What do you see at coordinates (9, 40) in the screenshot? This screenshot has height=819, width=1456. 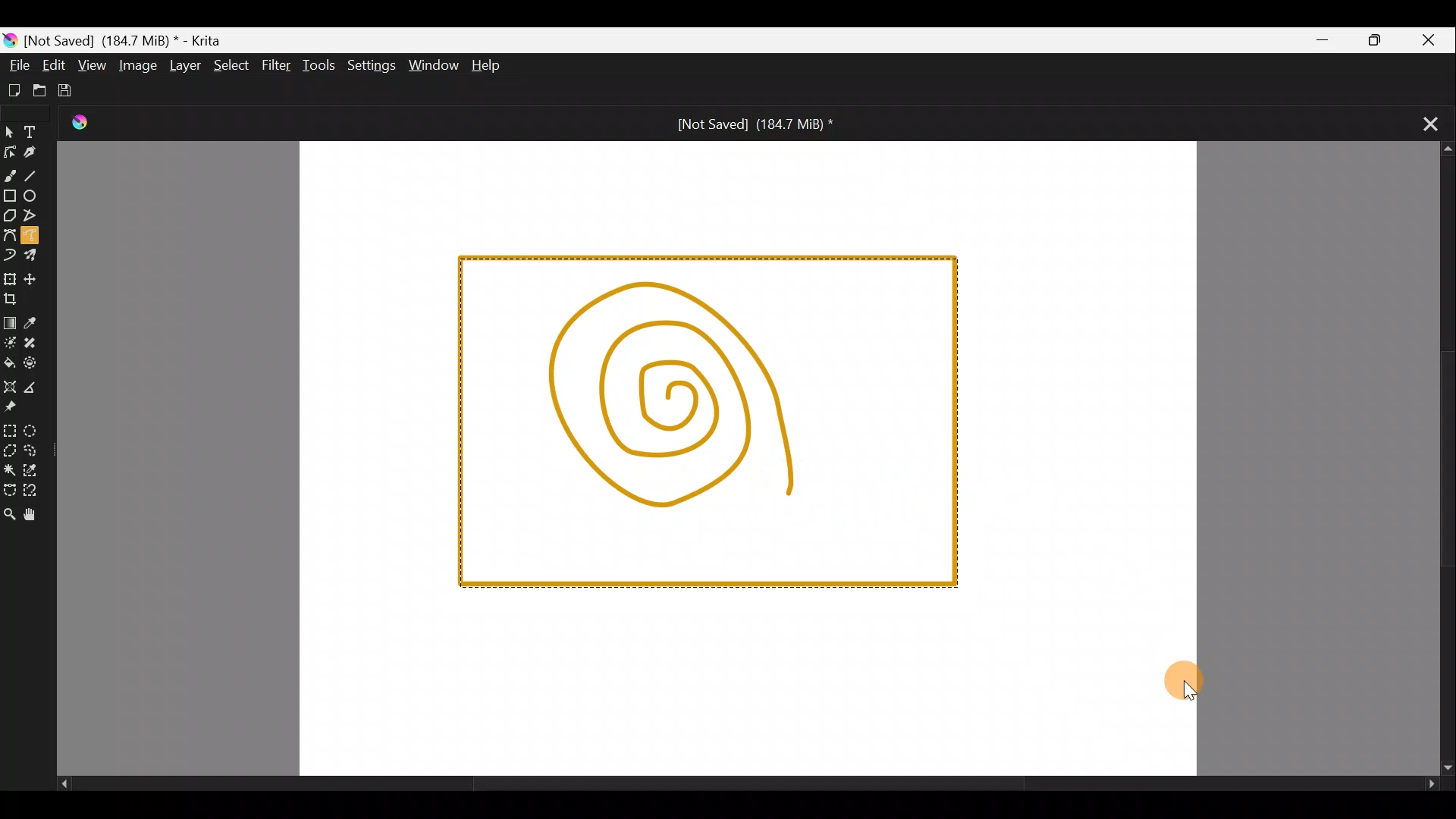 I see `Krita logo` at bounding box center [9, 40].